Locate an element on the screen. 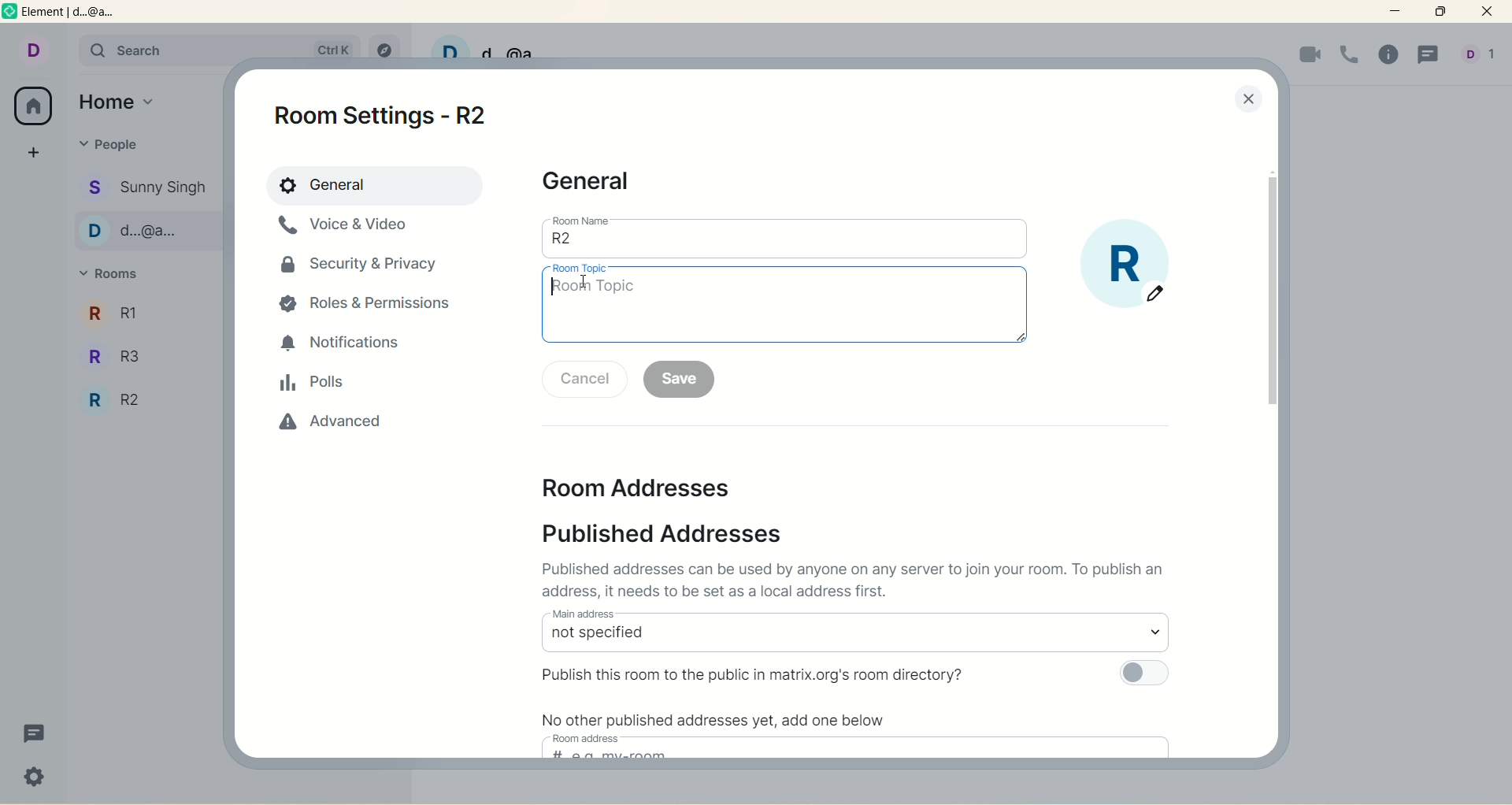  save is located at coordinates (680, 380).